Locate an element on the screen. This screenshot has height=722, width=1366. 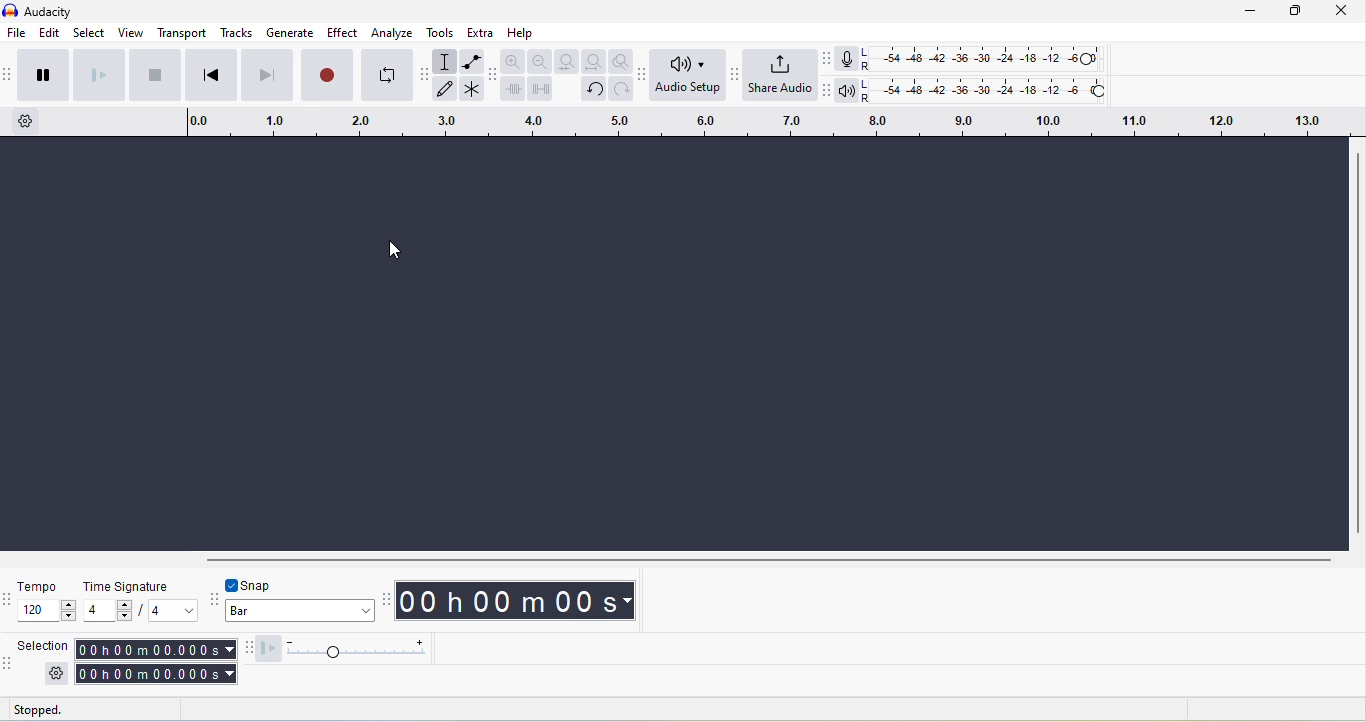
analyze is located at coordinates (392, 34).